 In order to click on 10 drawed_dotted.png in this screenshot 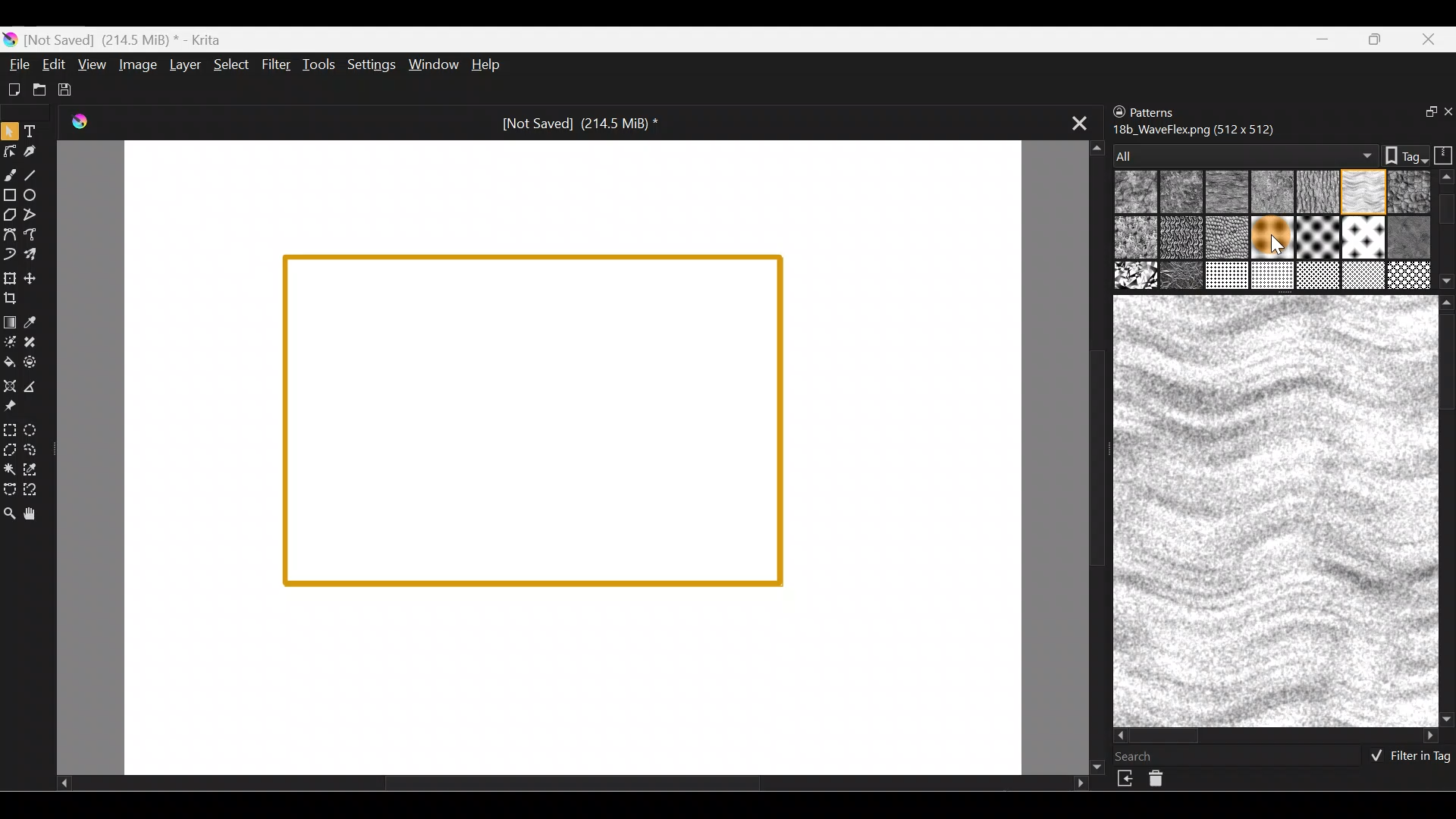, I will do `click(1270, 240)`.